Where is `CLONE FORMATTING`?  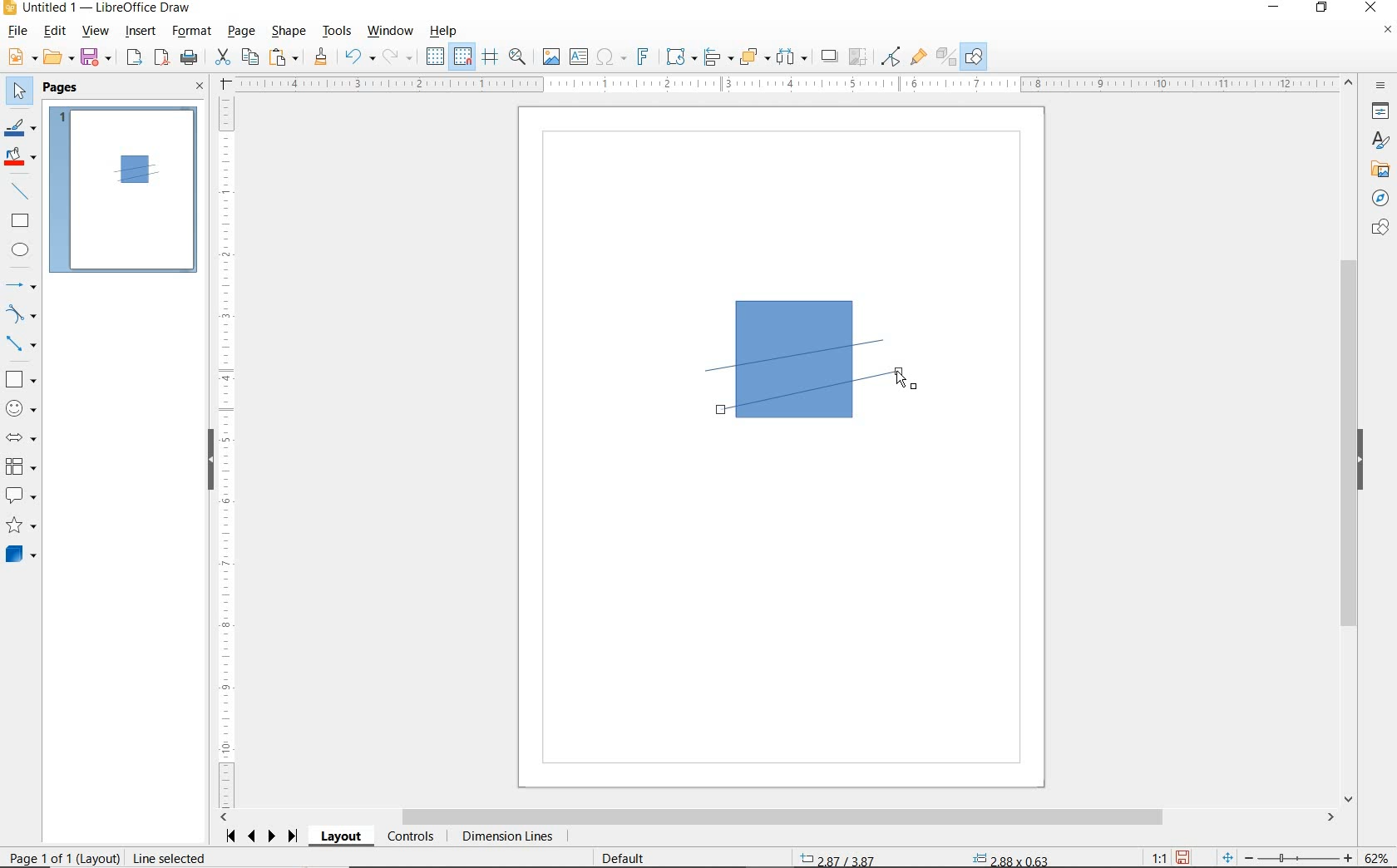 CLONE FORMATTING is located at coordinates (320, 57).